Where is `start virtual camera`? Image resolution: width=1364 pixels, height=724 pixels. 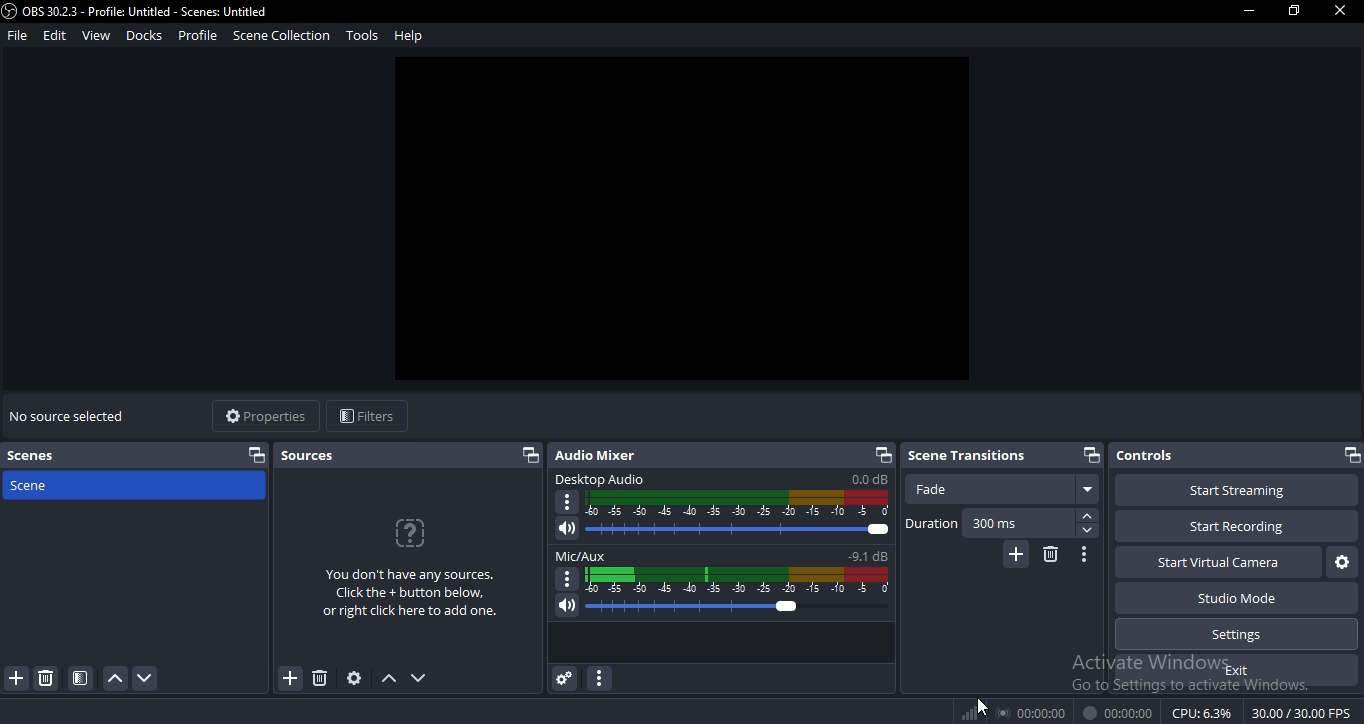 start virtual camera is located at coordinates (1216, 563).